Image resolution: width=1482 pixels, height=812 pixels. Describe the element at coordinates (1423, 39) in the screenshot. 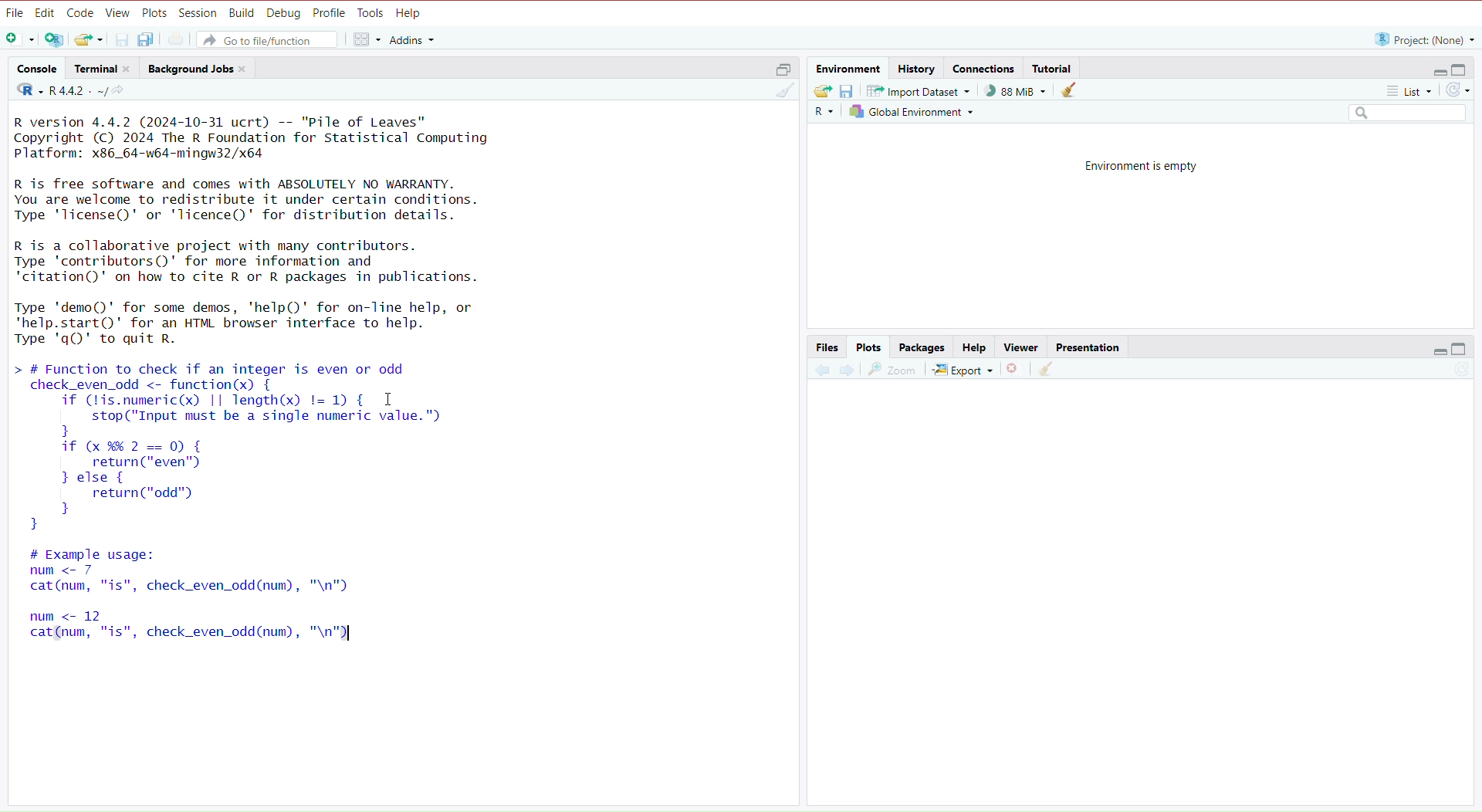

I see `project (None)` at that location.